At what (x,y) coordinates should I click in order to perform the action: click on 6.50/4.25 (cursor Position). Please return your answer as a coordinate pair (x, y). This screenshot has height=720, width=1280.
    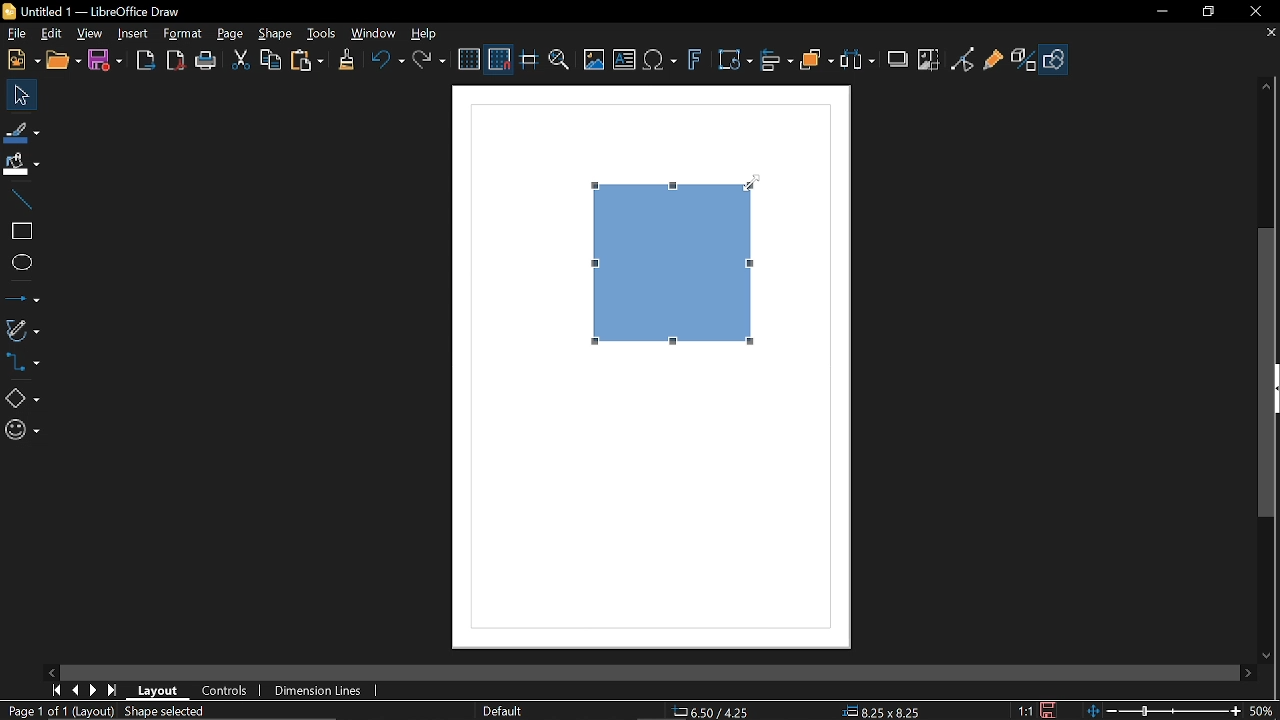
    Looking at the image, I should click on (714, 712).